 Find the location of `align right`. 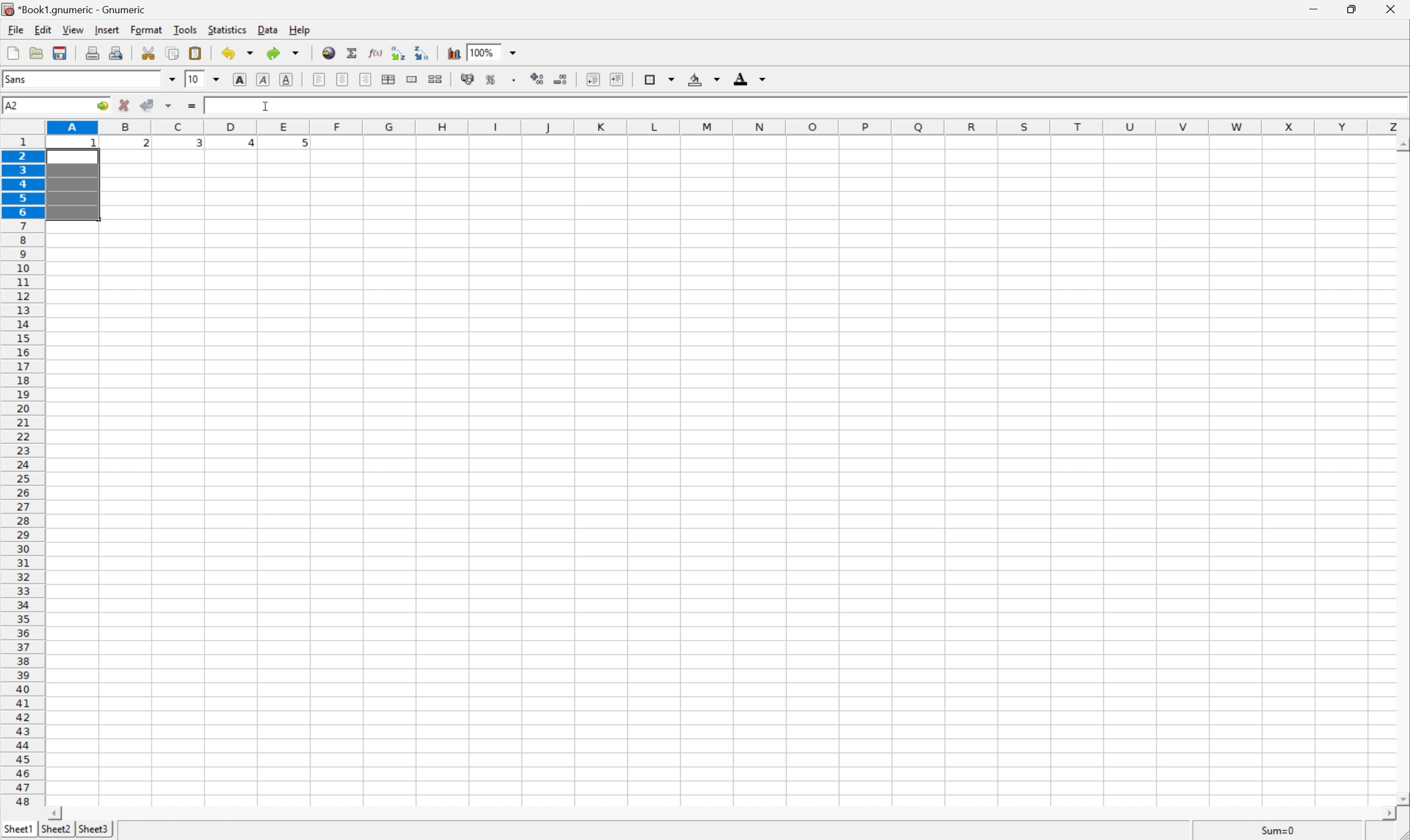

align right is located at coordinates (366, 79).